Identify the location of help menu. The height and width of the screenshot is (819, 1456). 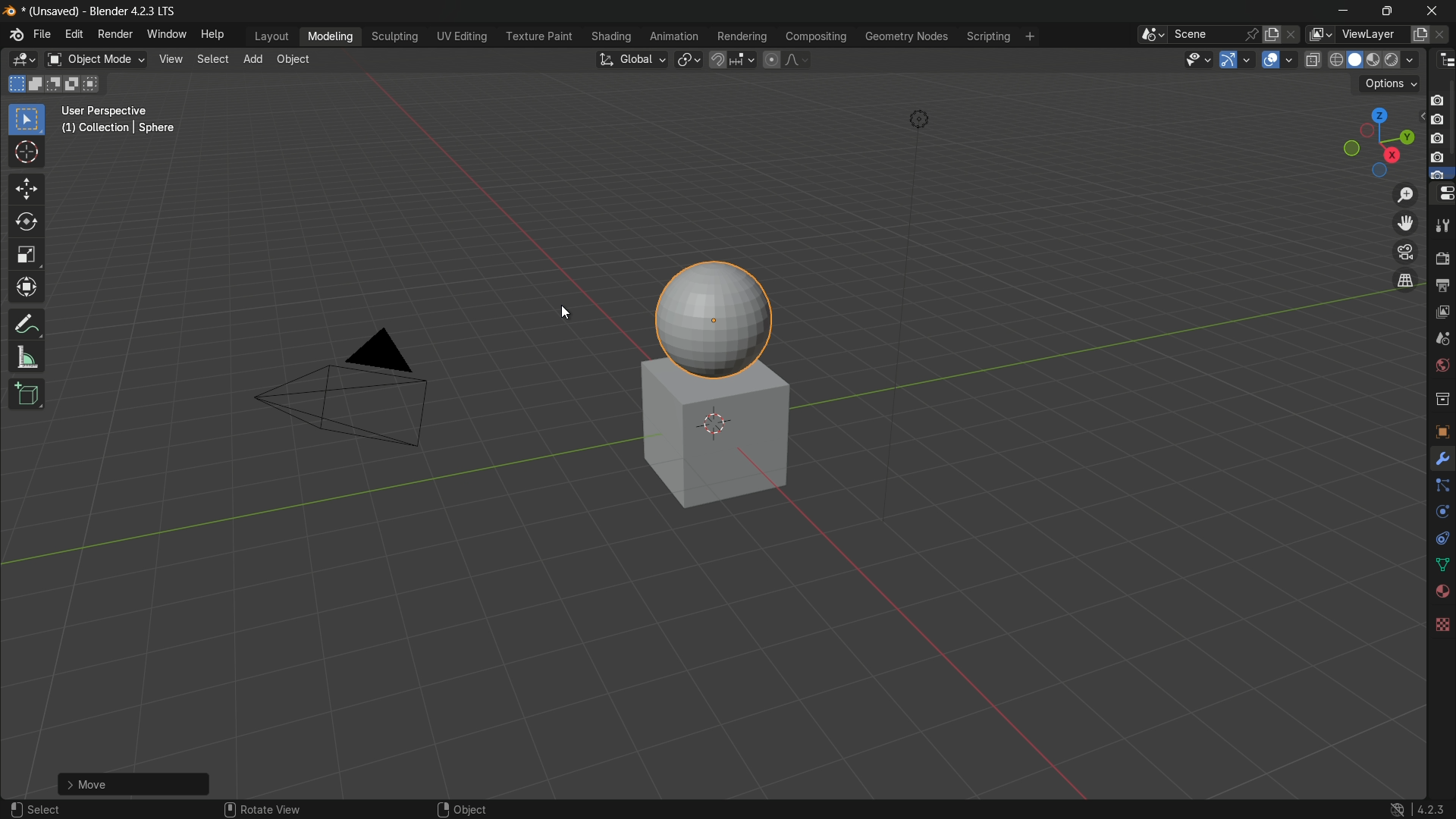
(212, 33).